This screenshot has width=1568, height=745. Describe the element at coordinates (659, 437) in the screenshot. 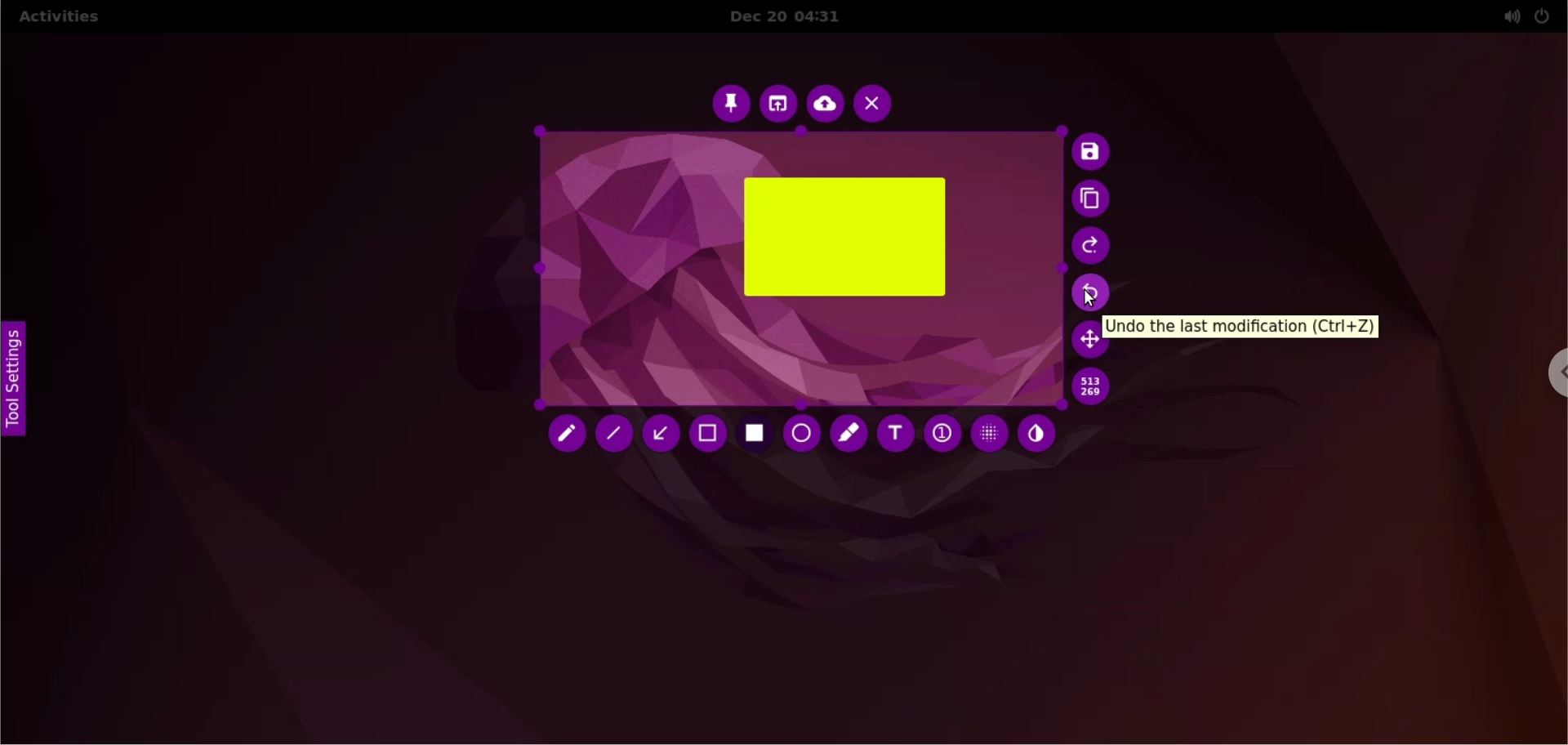

I see `arrow tool` at that location.